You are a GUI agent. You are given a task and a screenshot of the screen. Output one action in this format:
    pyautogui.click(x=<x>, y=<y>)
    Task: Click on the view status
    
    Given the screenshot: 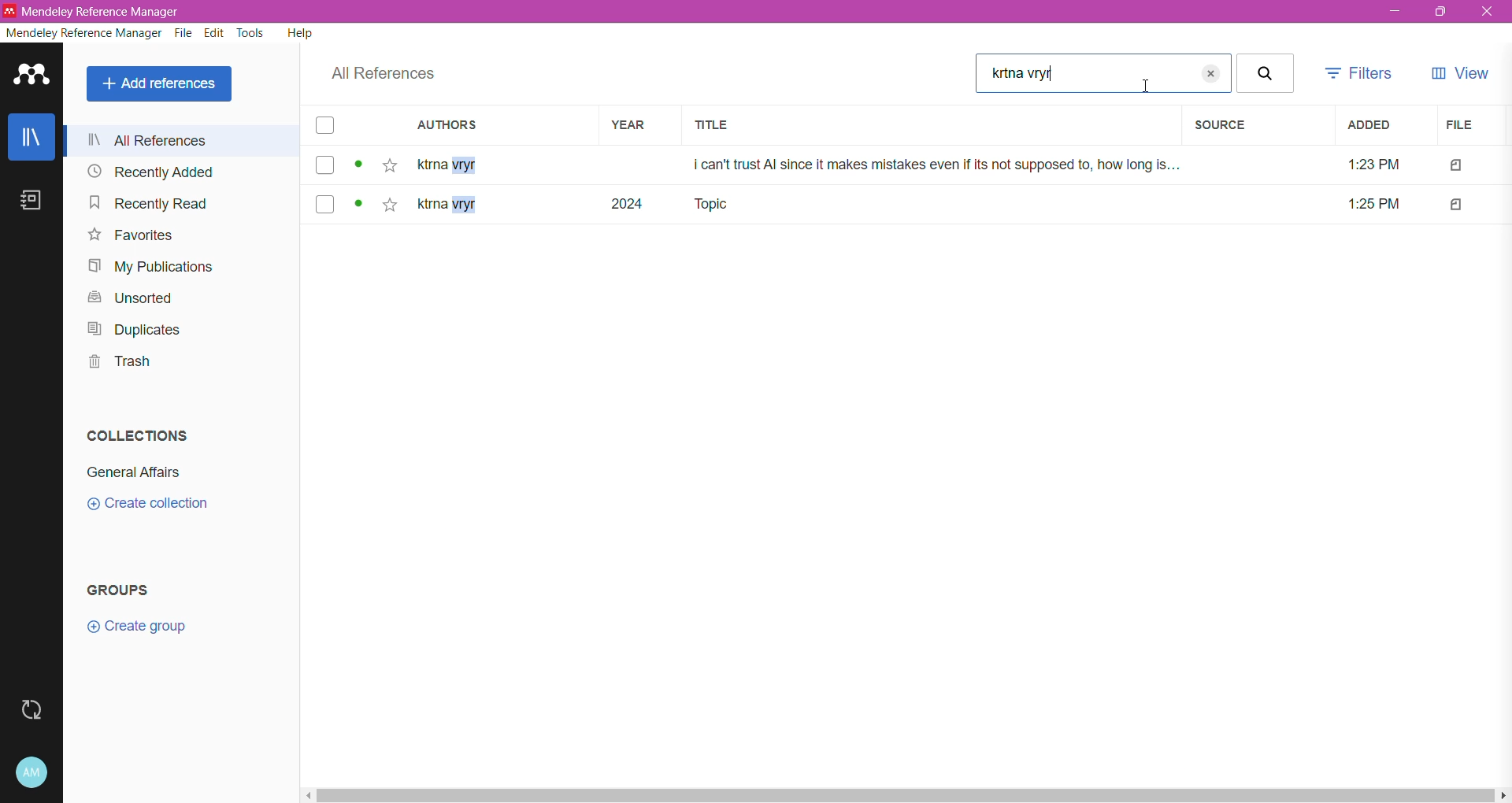 What is the action you would take?
    pyautogui.click(x=361, y=165)
    